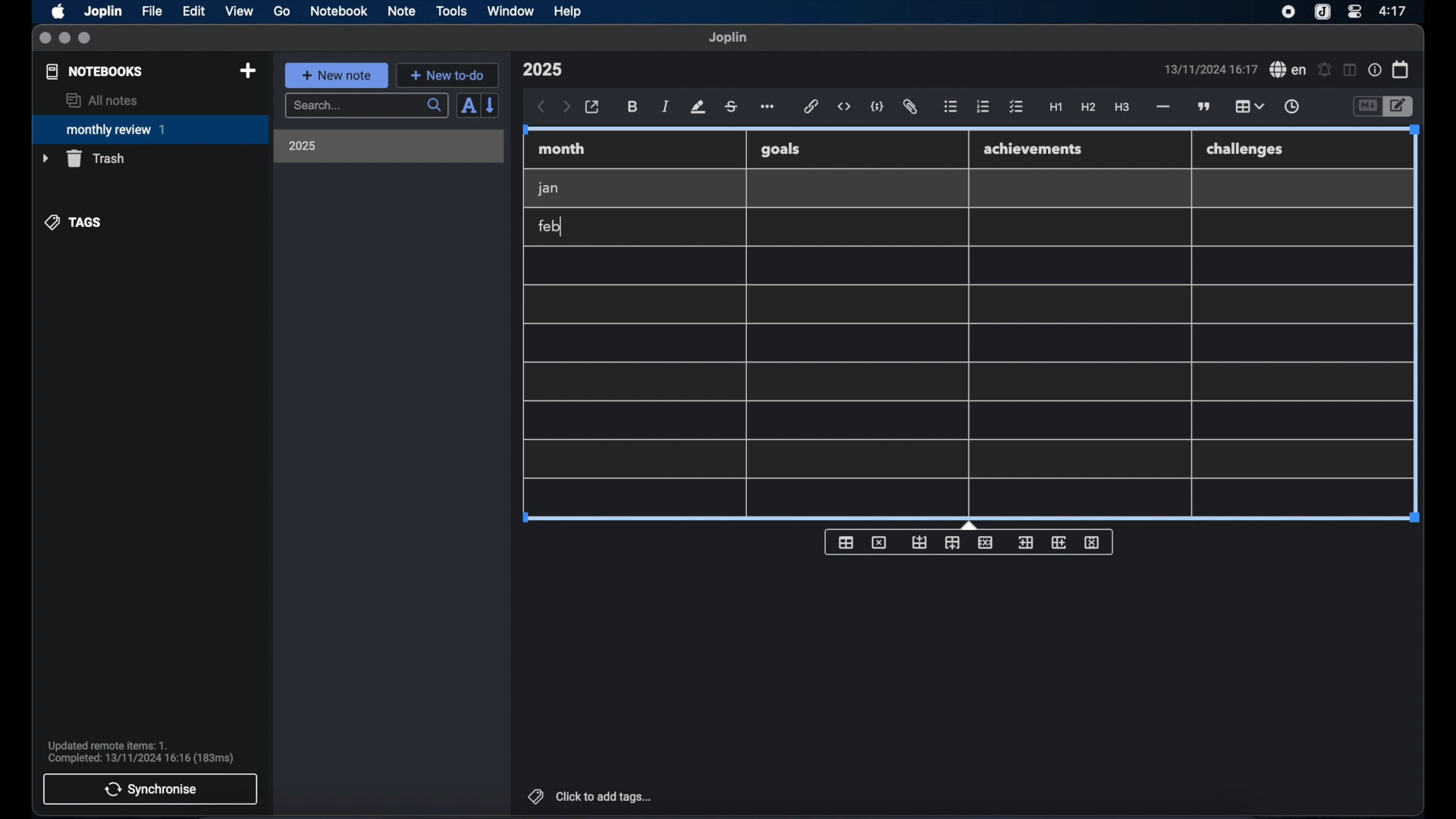 The image size is (1456, 819). I want to click on search bar, so click(366, 107).